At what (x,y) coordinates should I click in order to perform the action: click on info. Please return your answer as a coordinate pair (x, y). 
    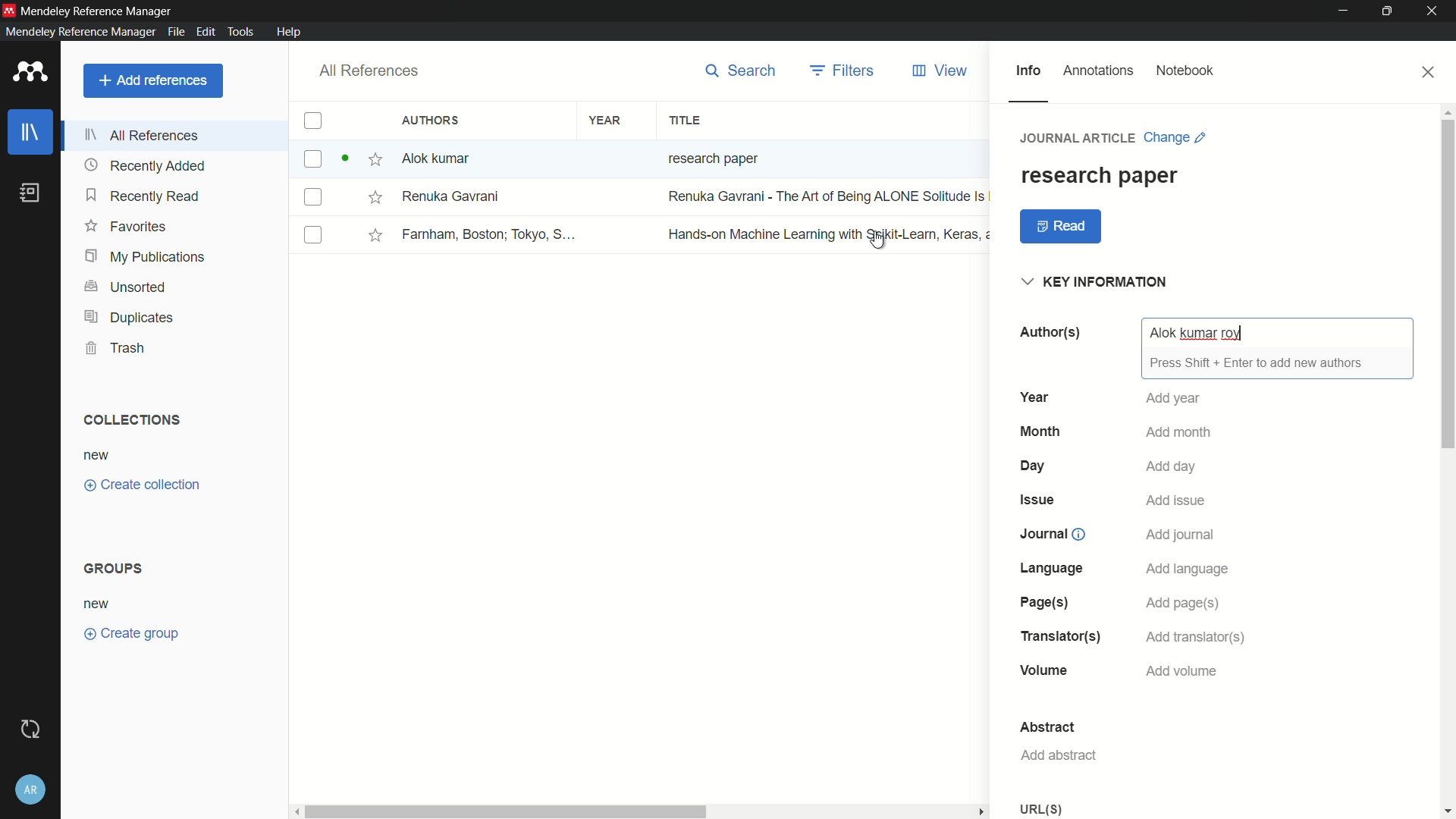
    Looking at the image, I should click on (1028, 71).